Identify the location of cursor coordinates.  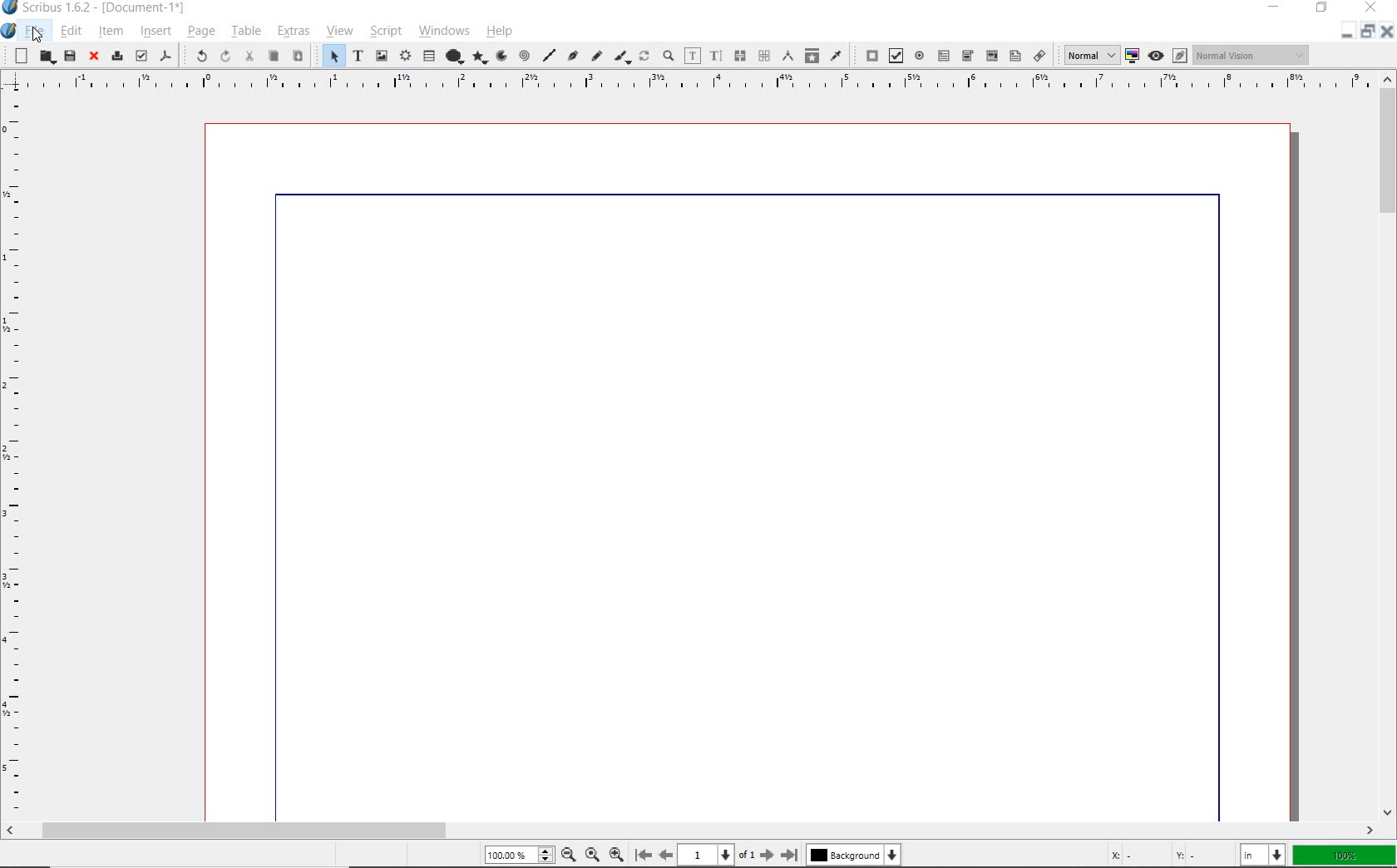
(1168, 856).